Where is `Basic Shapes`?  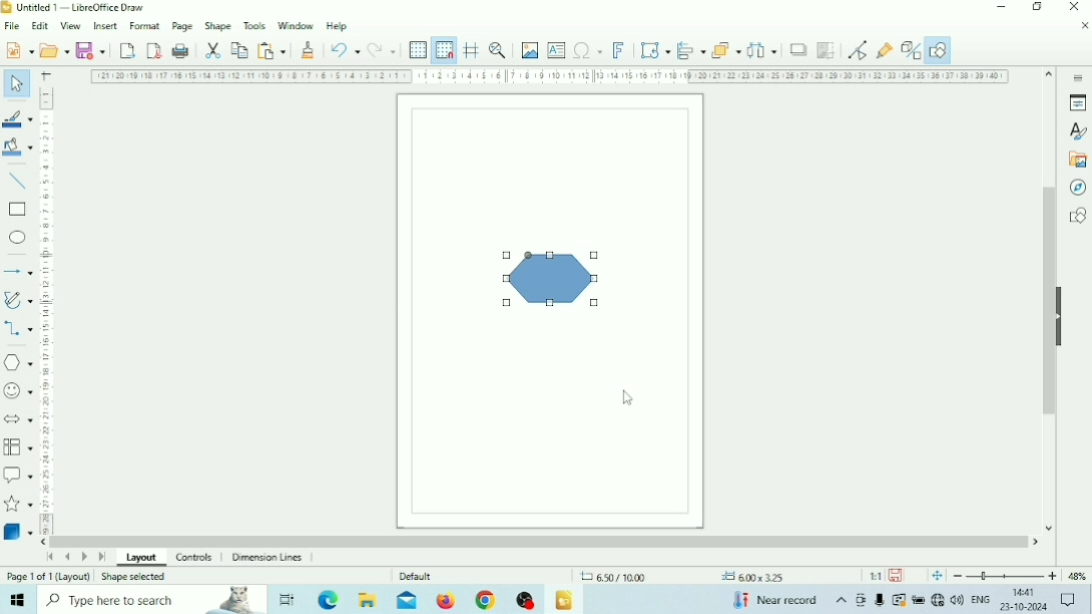
Basic Shapes is located at coordinates (18, 363).